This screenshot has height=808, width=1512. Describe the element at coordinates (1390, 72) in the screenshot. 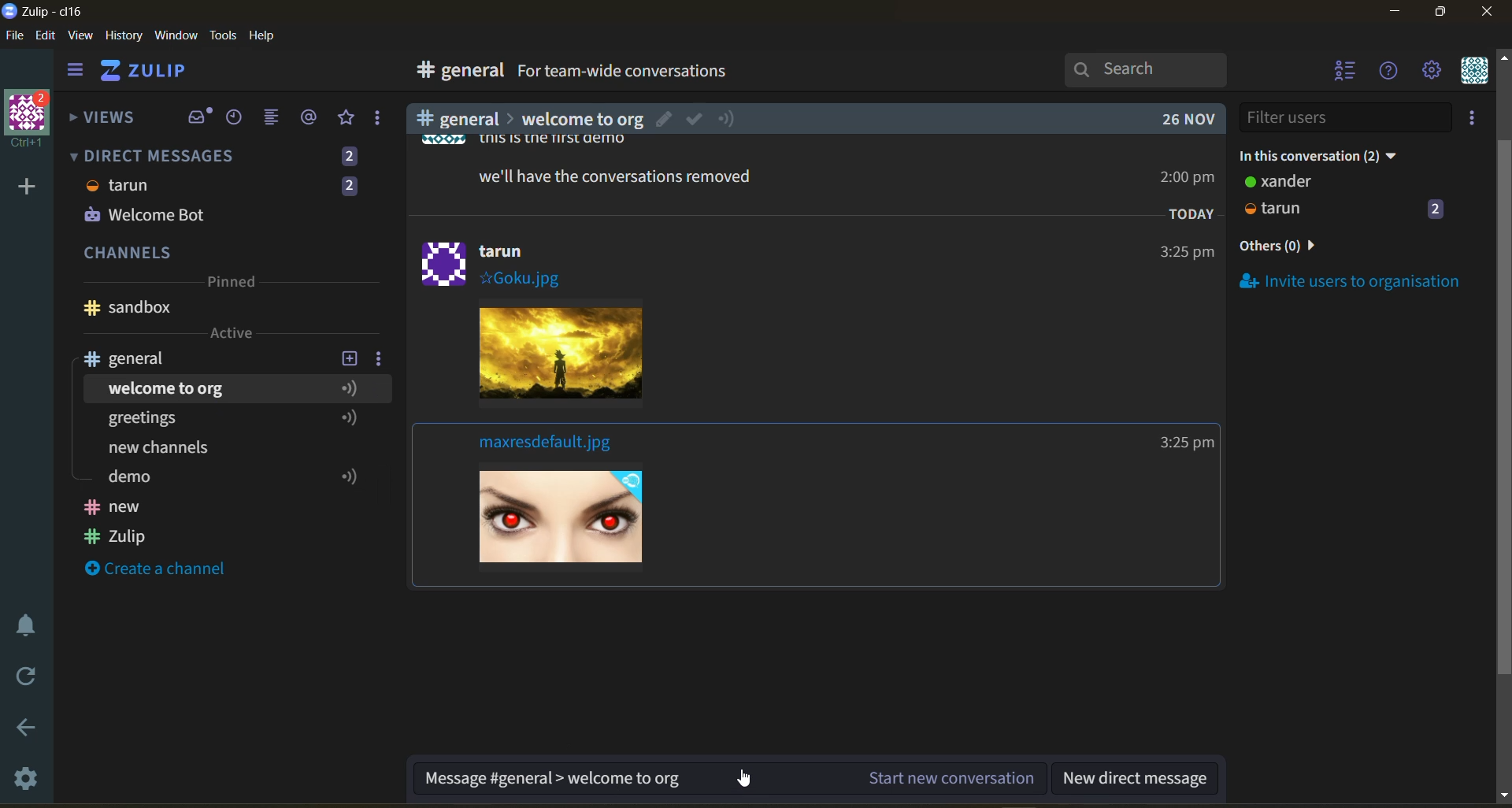

I see `help menu` at that location.